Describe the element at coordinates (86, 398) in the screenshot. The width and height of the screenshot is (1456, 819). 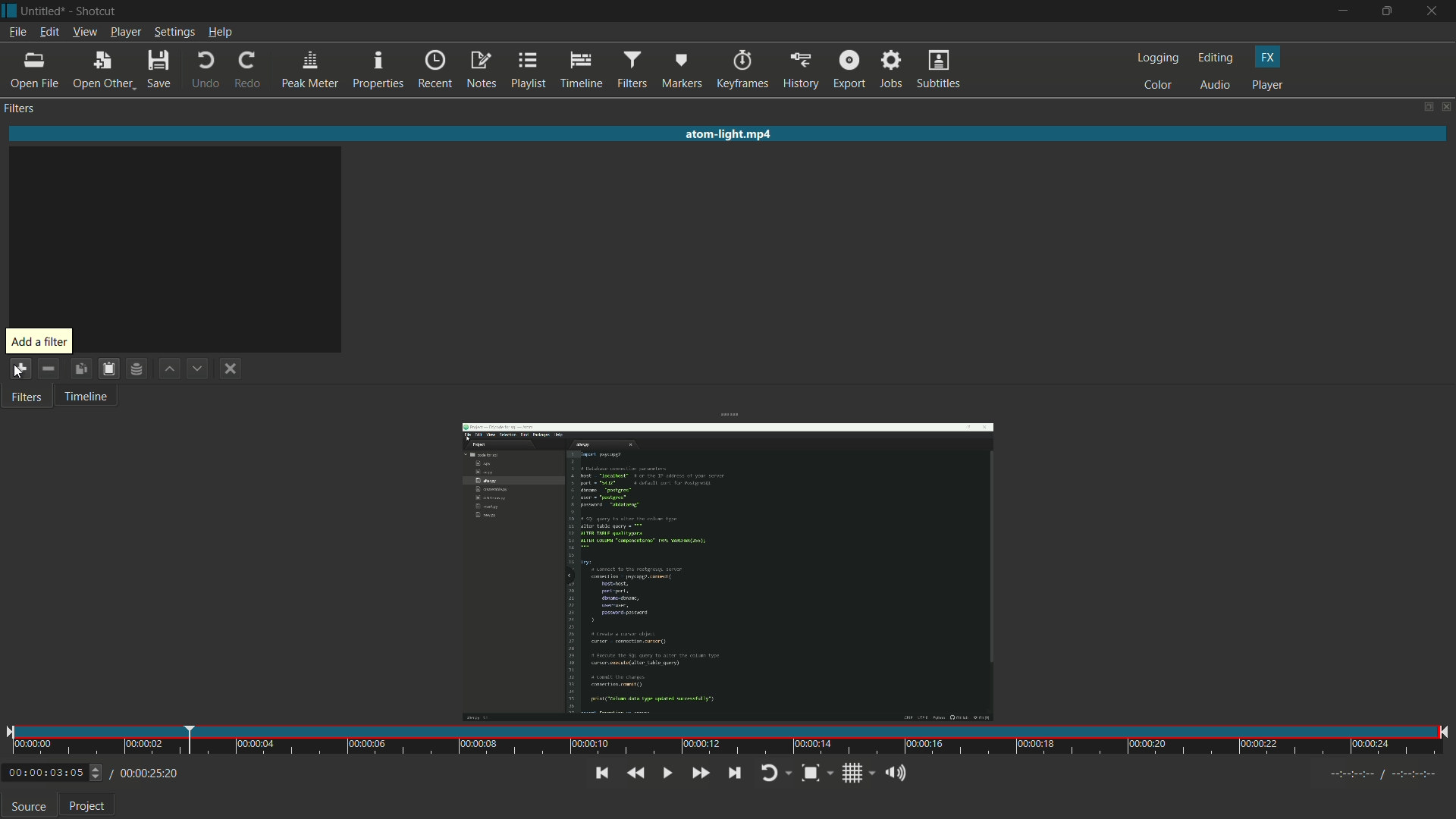
I see `timeline` at that location.